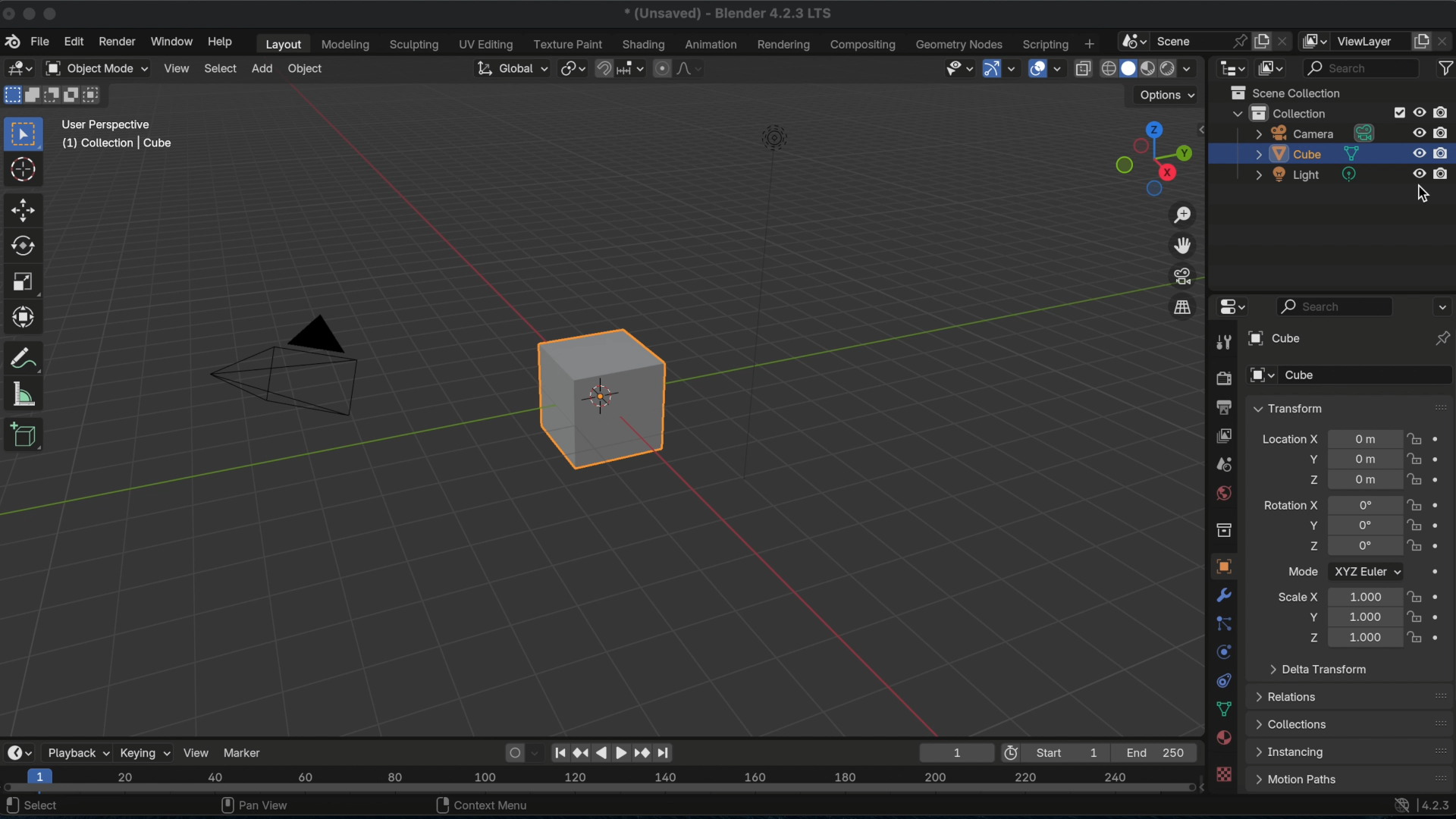  What do you see at coordinates (1314, 153) in the screenshot?
I see `cube` at bounding box center [1314, 153].